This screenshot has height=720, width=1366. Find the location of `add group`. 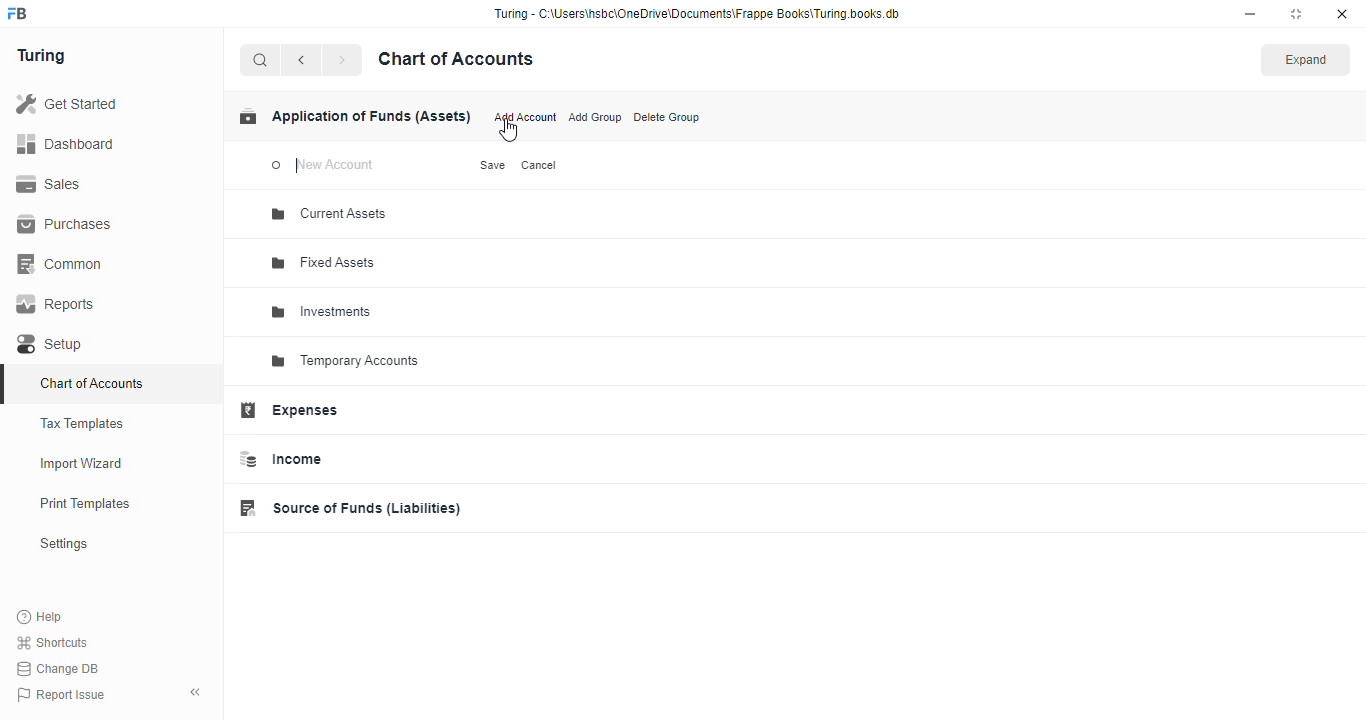

add group is located at coordinates (595, 117).